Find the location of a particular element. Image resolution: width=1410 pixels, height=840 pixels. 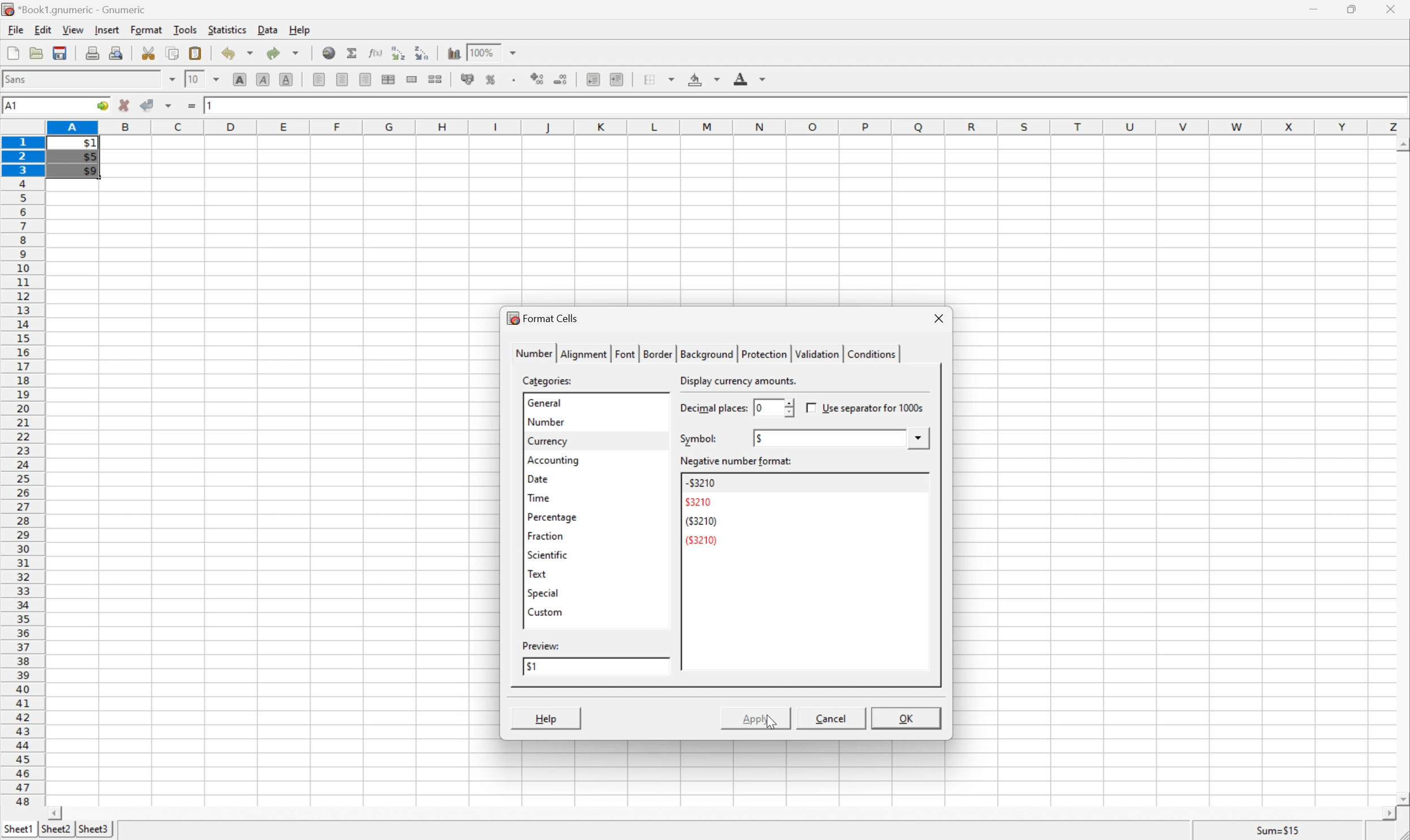

general is located at coordinates (545, 401).